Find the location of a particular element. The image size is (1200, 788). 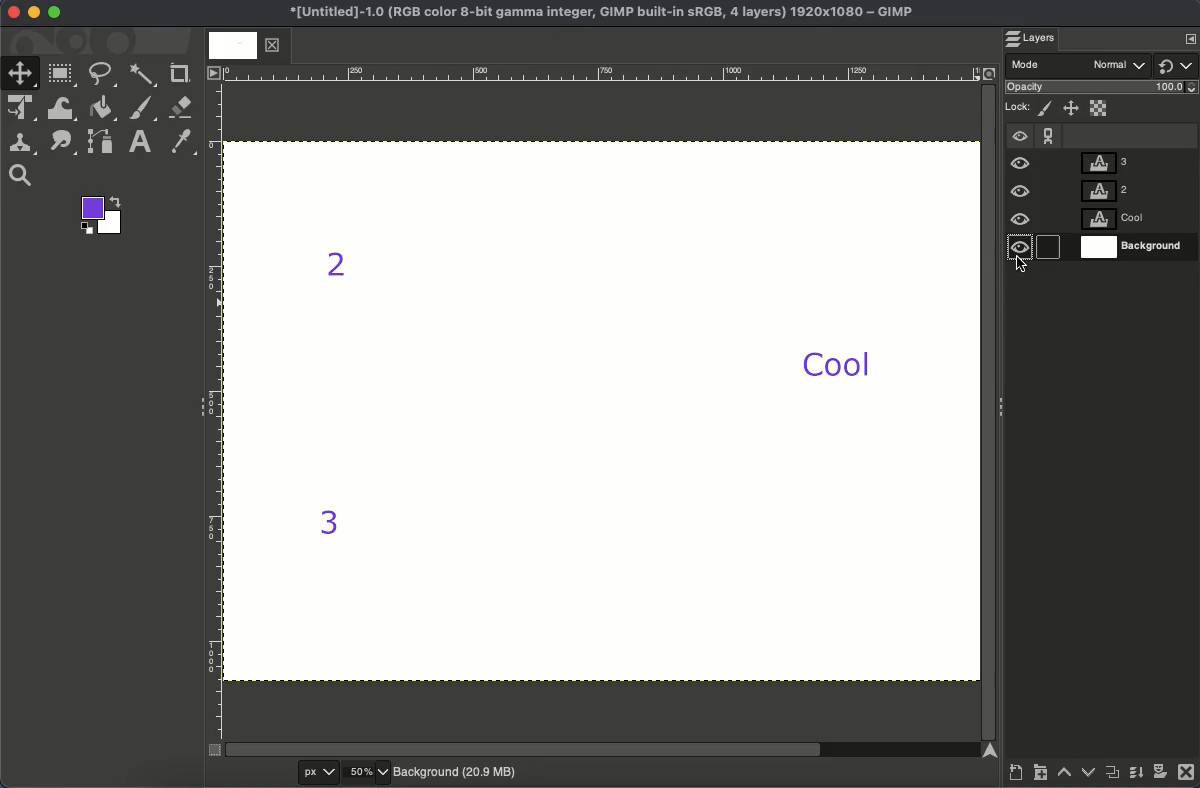

Lower layer is located at coordinates (1087, 775).